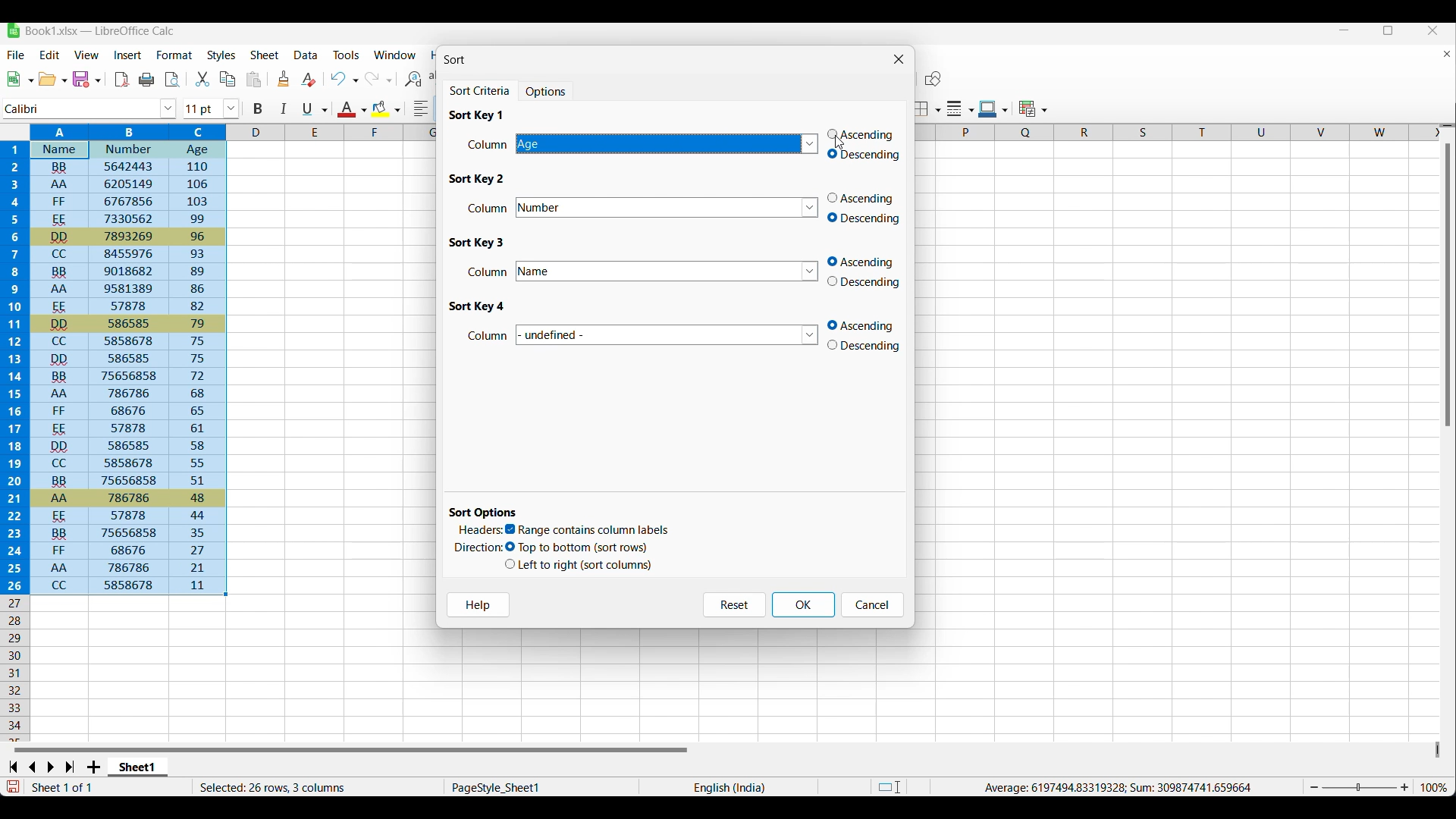 The width and height of the screenshot is (1456, 819). I want to click on Close document, so click(1447, 54).